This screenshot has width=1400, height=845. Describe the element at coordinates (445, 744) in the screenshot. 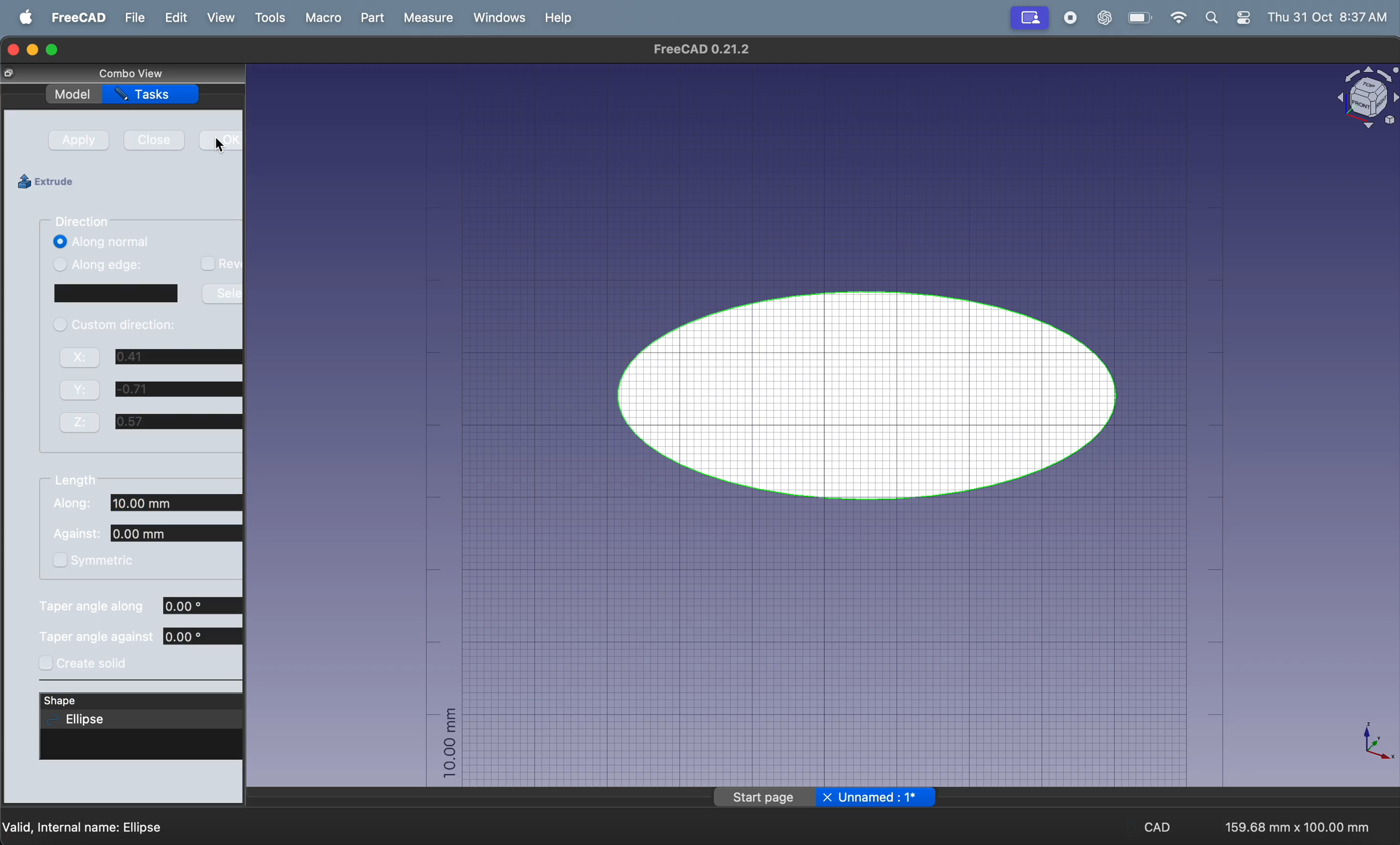

I see `10.mm` at that location.